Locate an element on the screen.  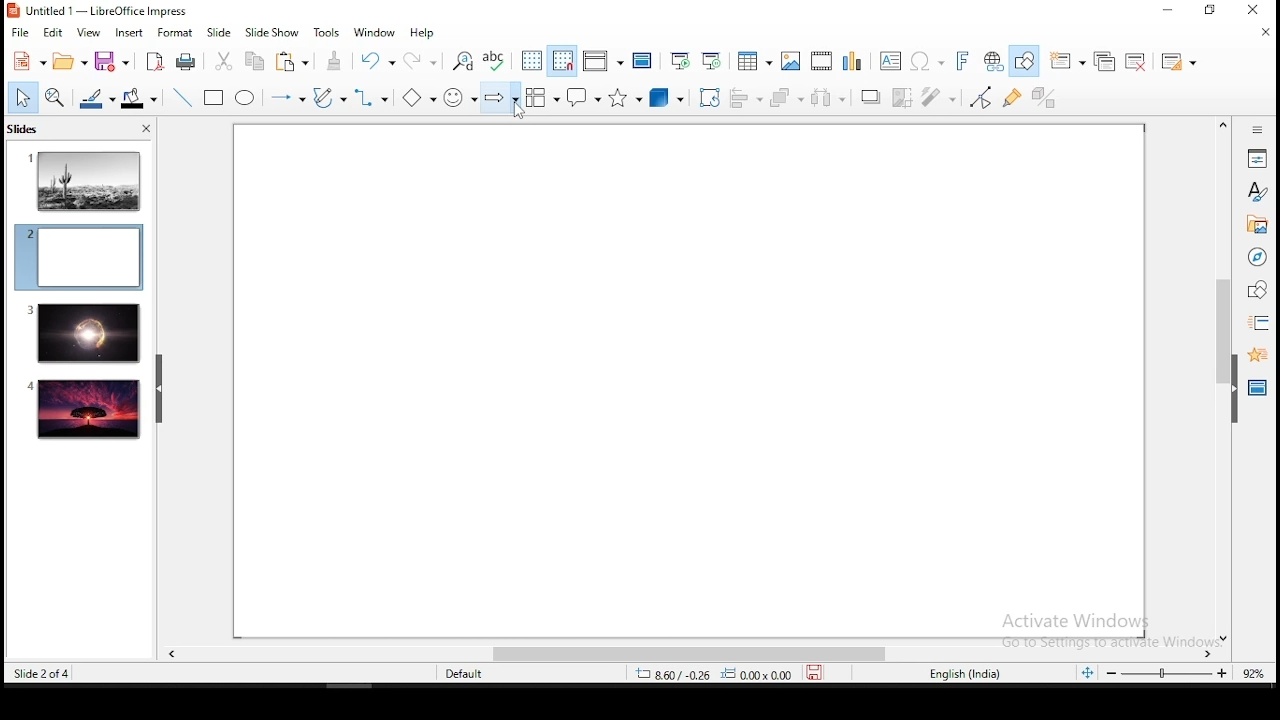
line fill is located at coordinates (95, 99).